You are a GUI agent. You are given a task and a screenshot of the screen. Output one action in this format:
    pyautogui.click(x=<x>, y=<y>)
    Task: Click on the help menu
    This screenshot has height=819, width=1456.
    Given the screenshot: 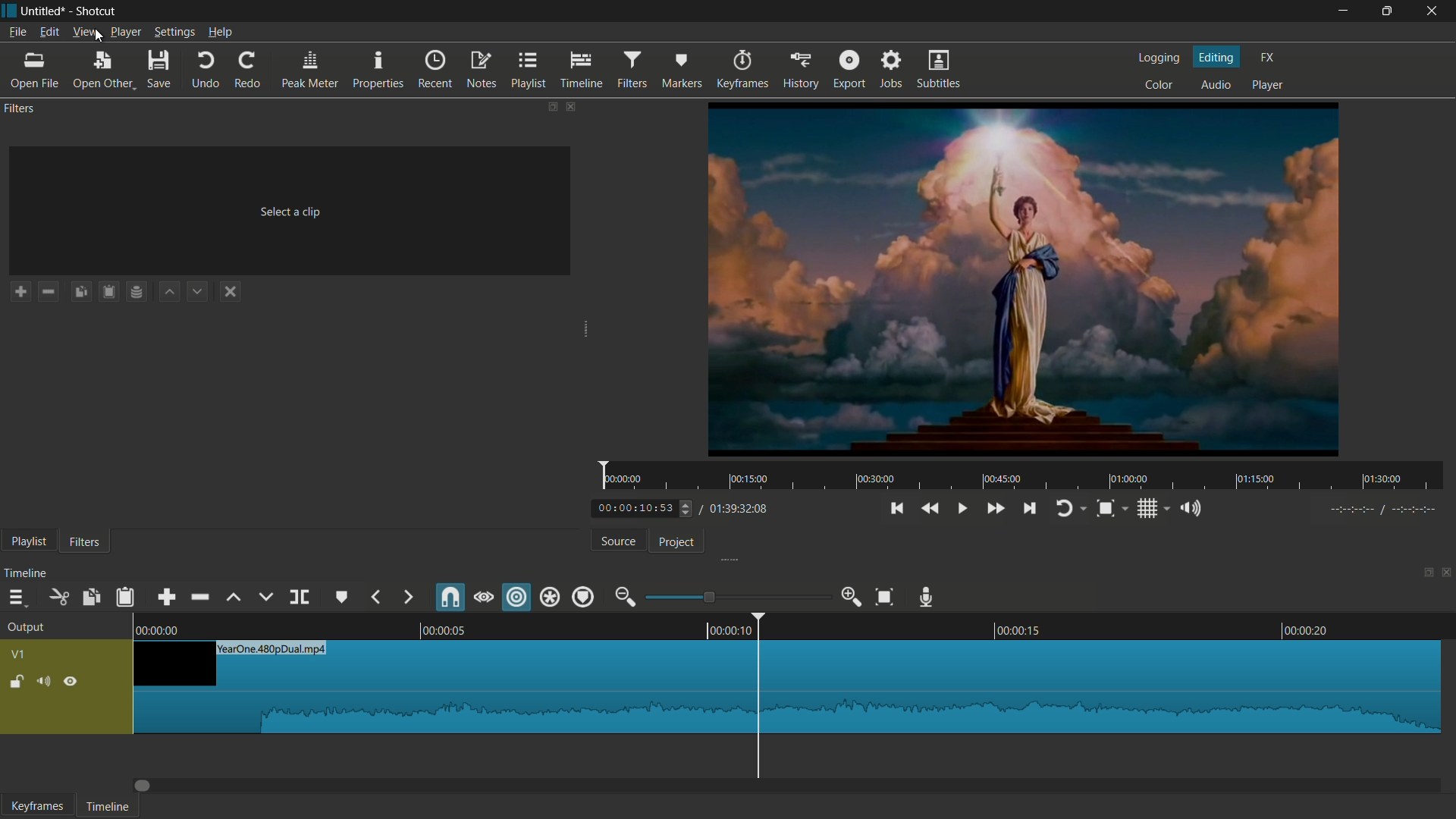 What is the action you would take?
    pyautogui.click(x=220, y=32)
    